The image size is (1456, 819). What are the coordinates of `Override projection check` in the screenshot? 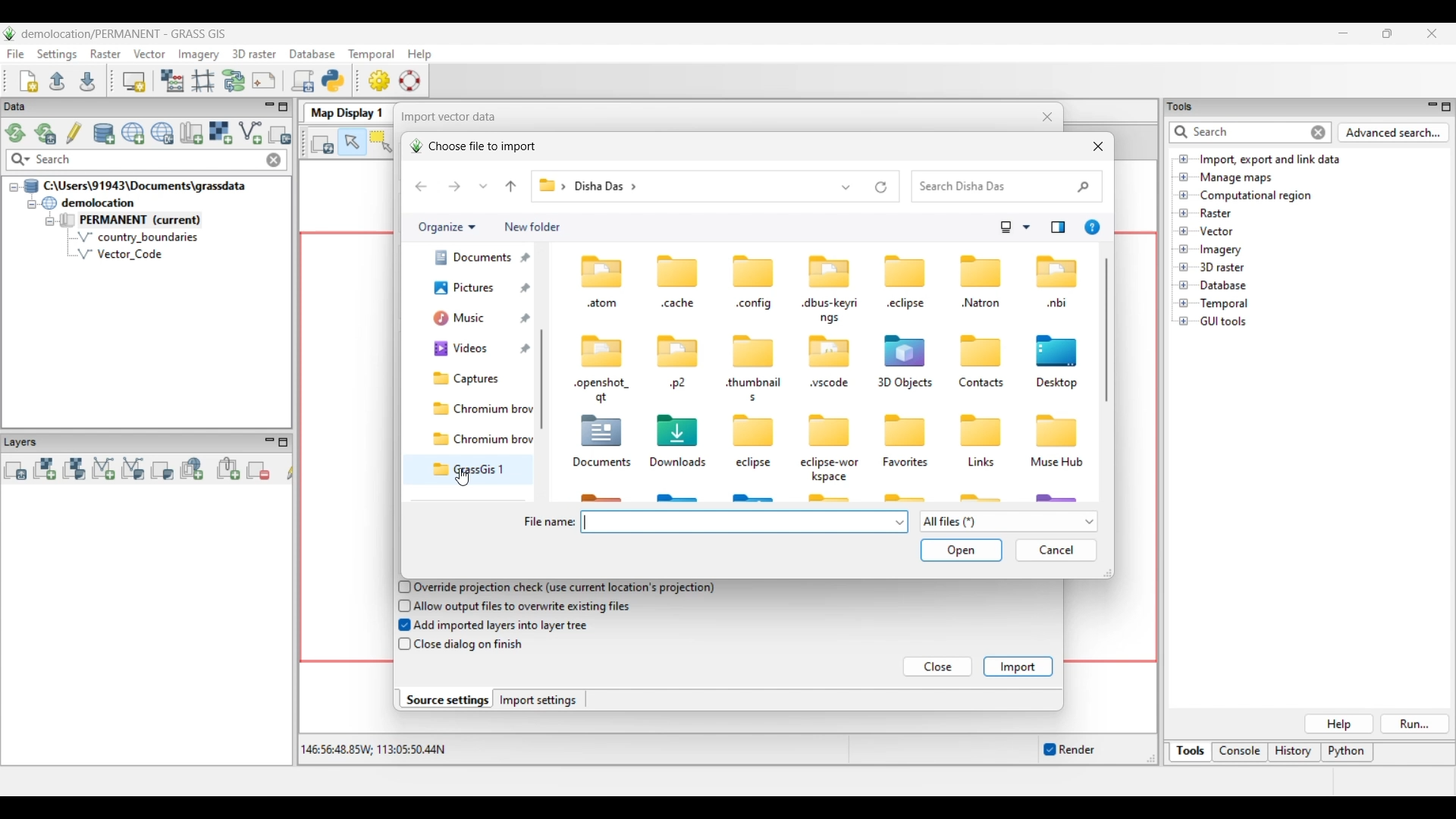 It's located at (564, 588).